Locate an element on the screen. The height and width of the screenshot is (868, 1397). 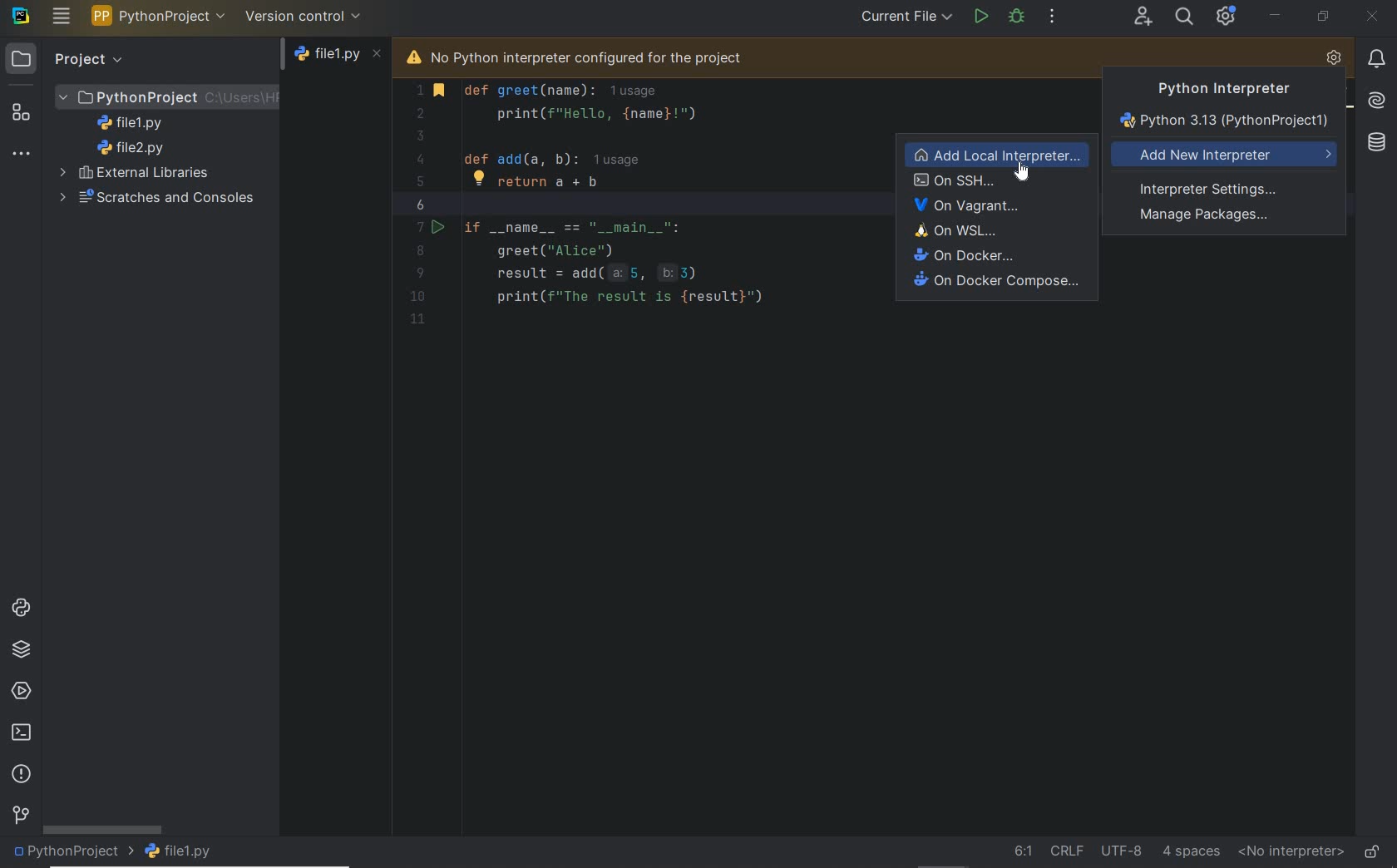
code with me is located at coordinates (1143, 17).